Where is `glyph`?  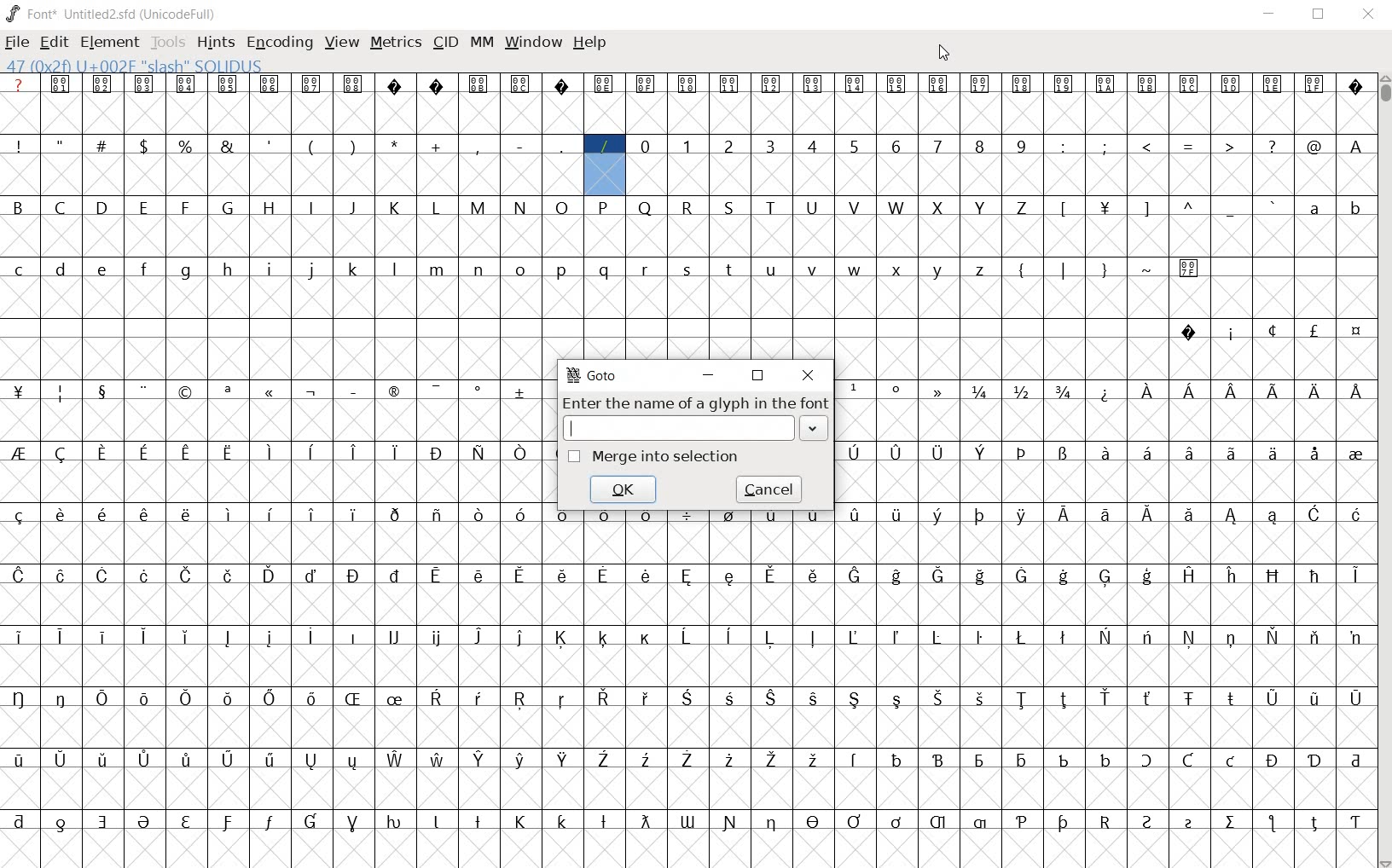
glyph is located at coordinates (519, 638).